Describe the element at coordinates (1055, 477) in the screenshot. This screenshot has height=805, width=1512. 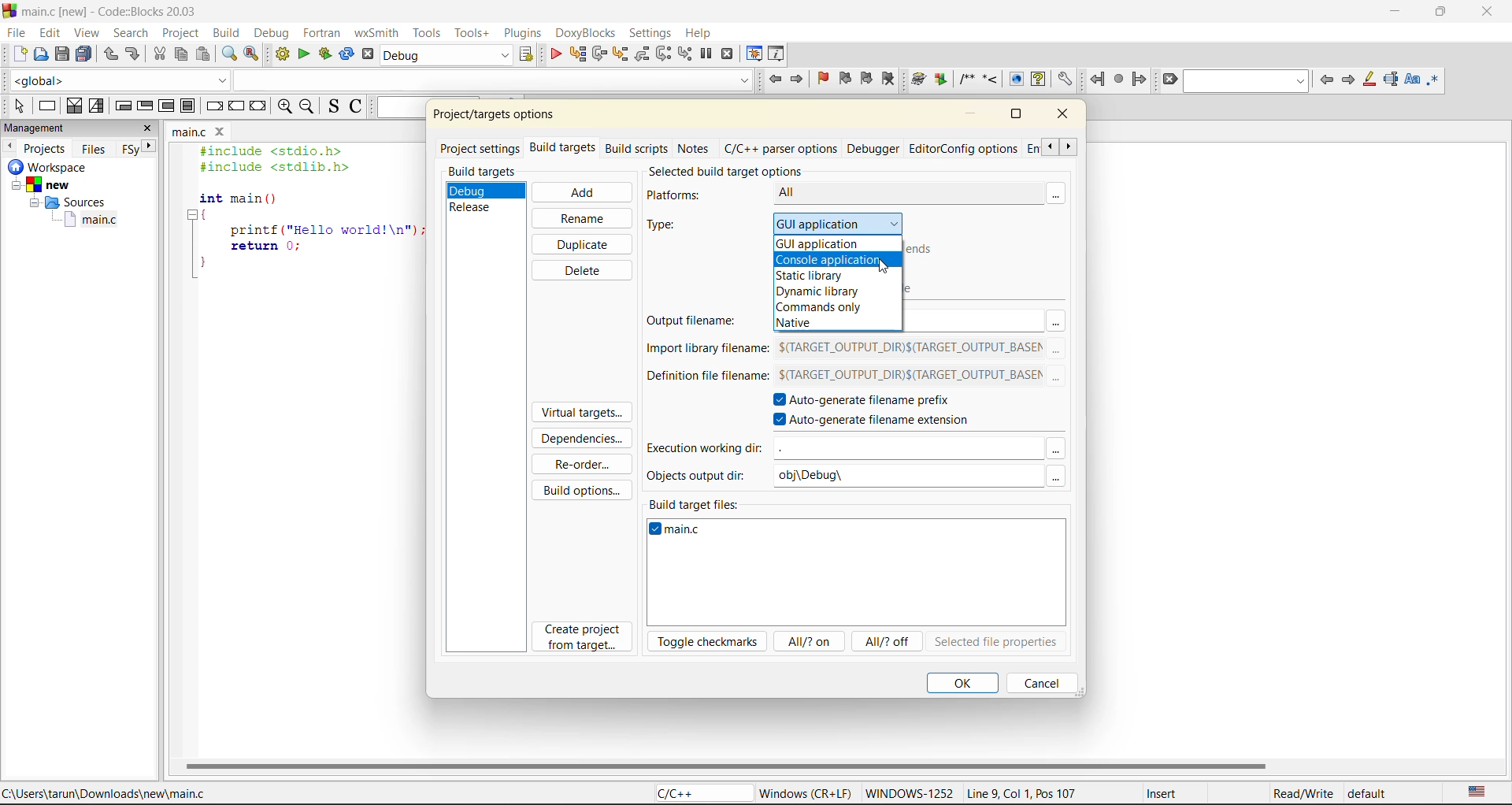
I see `More` at that location.